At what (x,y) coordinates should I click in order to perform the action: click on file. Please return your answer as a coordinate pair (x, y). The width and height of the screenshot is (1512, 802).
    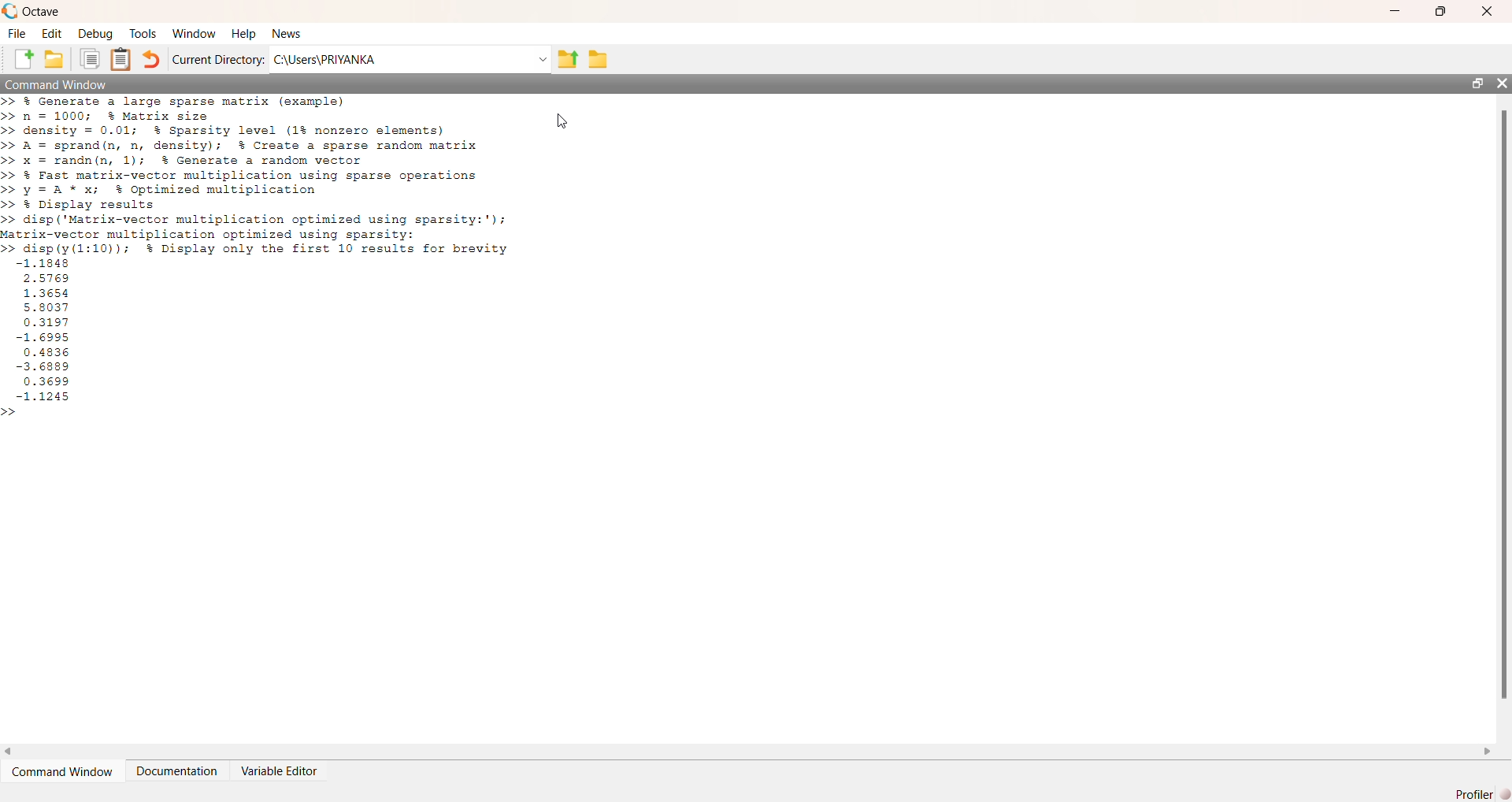
    Looking at the image, I should click on (17, 33).